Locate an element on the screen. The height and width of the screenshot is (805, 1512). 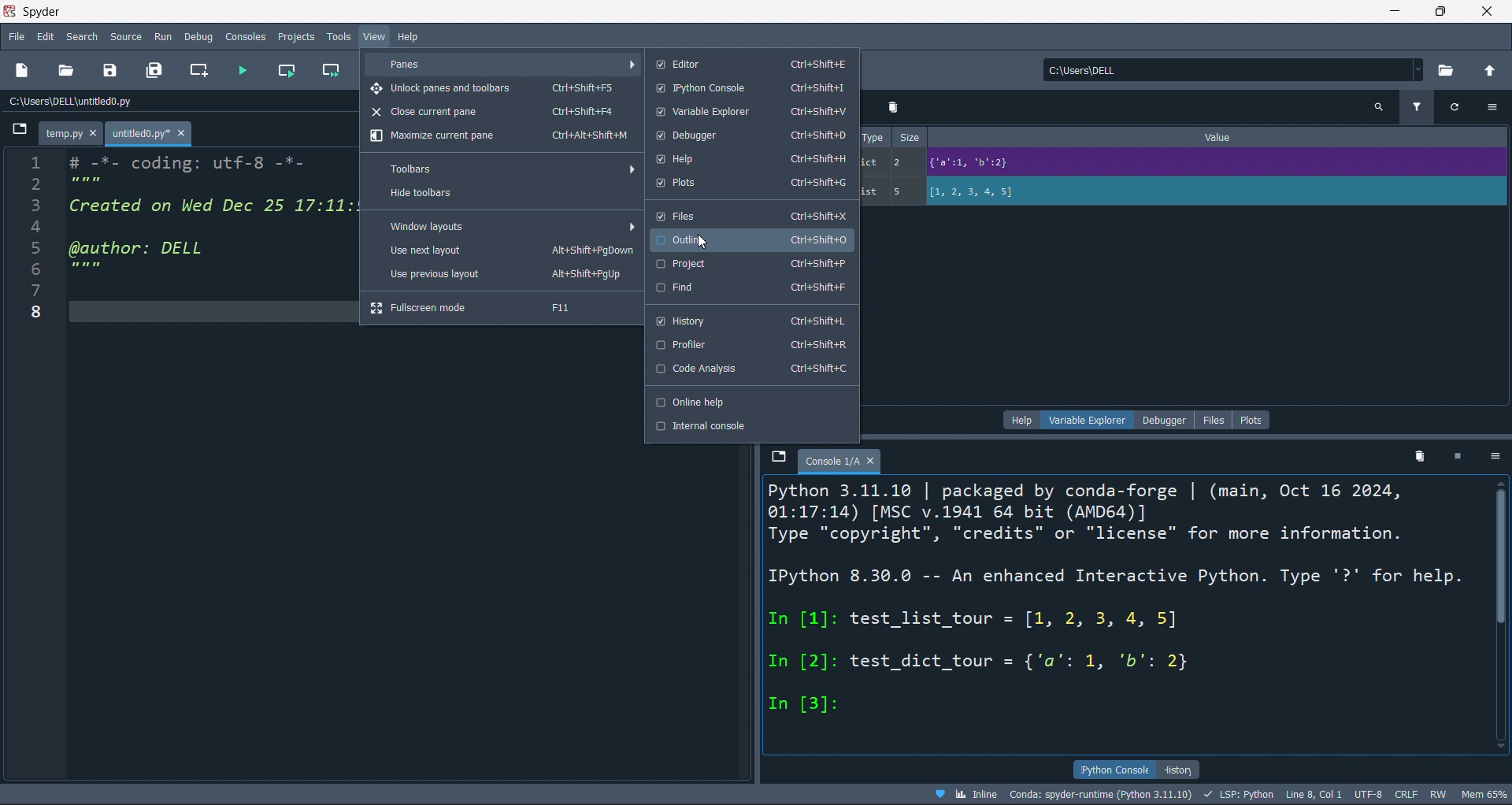
open parent directory is located at coordinates (1494, 70).